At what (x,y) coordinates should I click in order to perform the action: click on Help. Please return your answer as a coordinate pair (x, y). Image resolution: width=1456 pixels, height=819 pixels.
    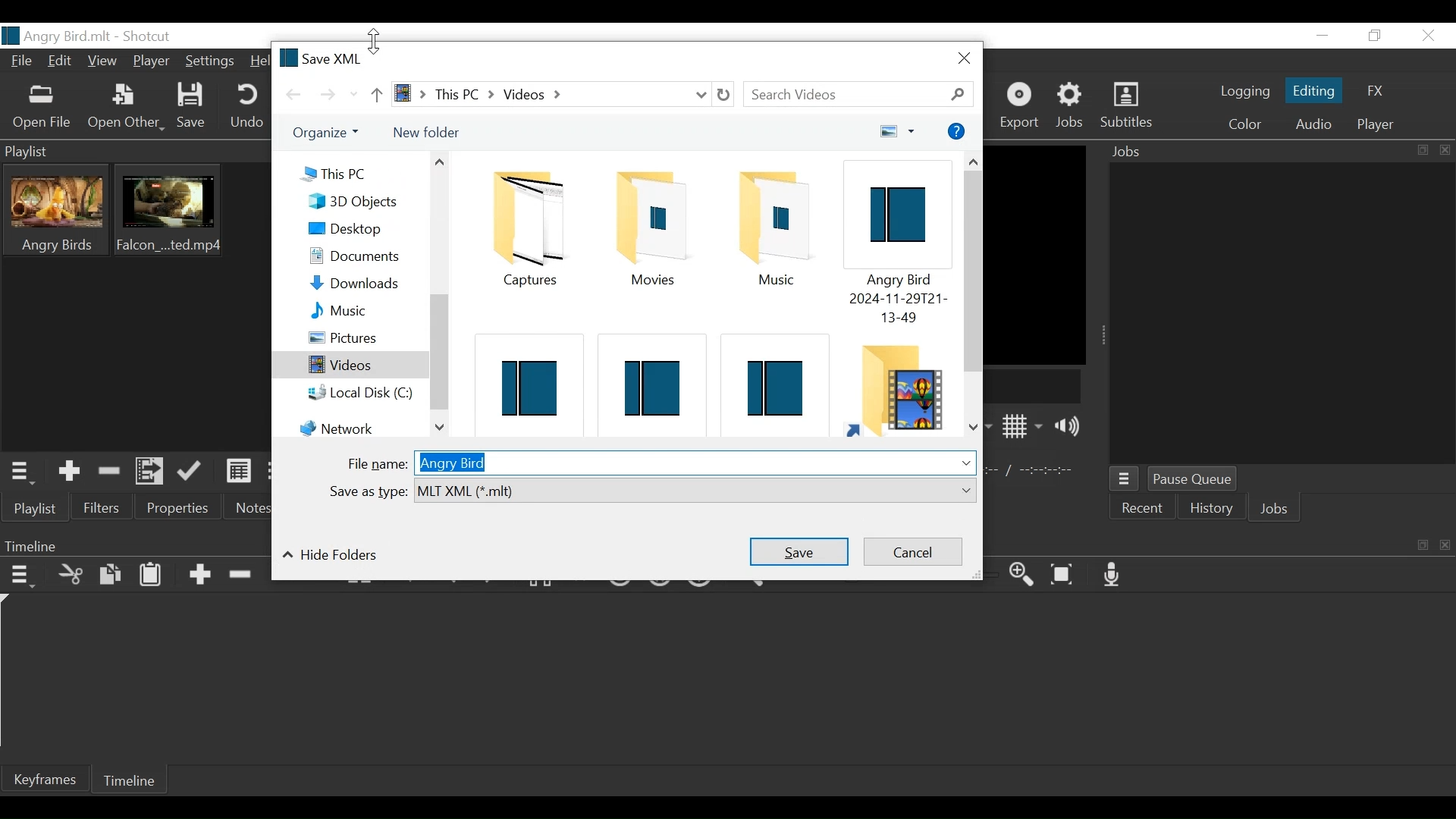
    Looking at the image, I should click on (262, 61).